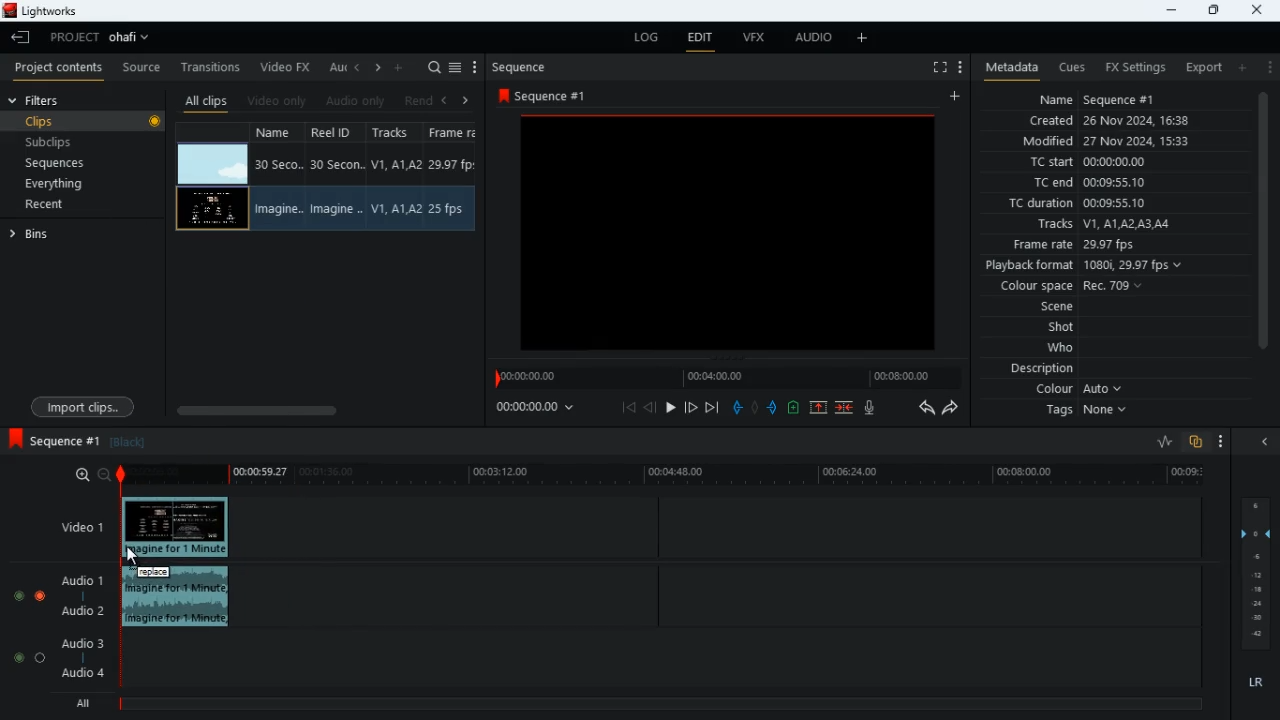 This screenshot has height=720, width=1280. Describe the element at coordinates (130, 443) in the screenshot. I see `black` at that location.